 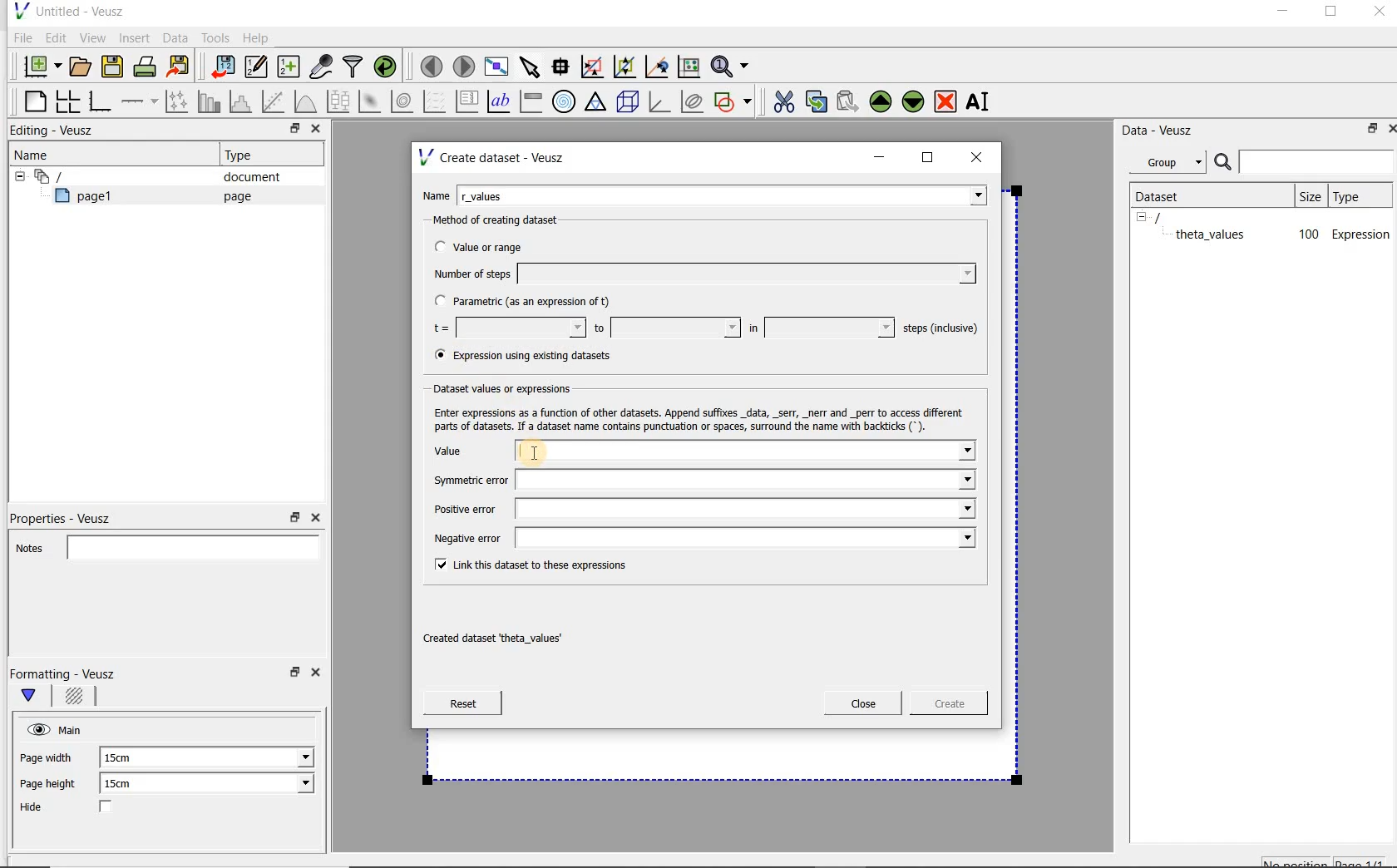 I want to click on Create, so click(x=944, y=706).